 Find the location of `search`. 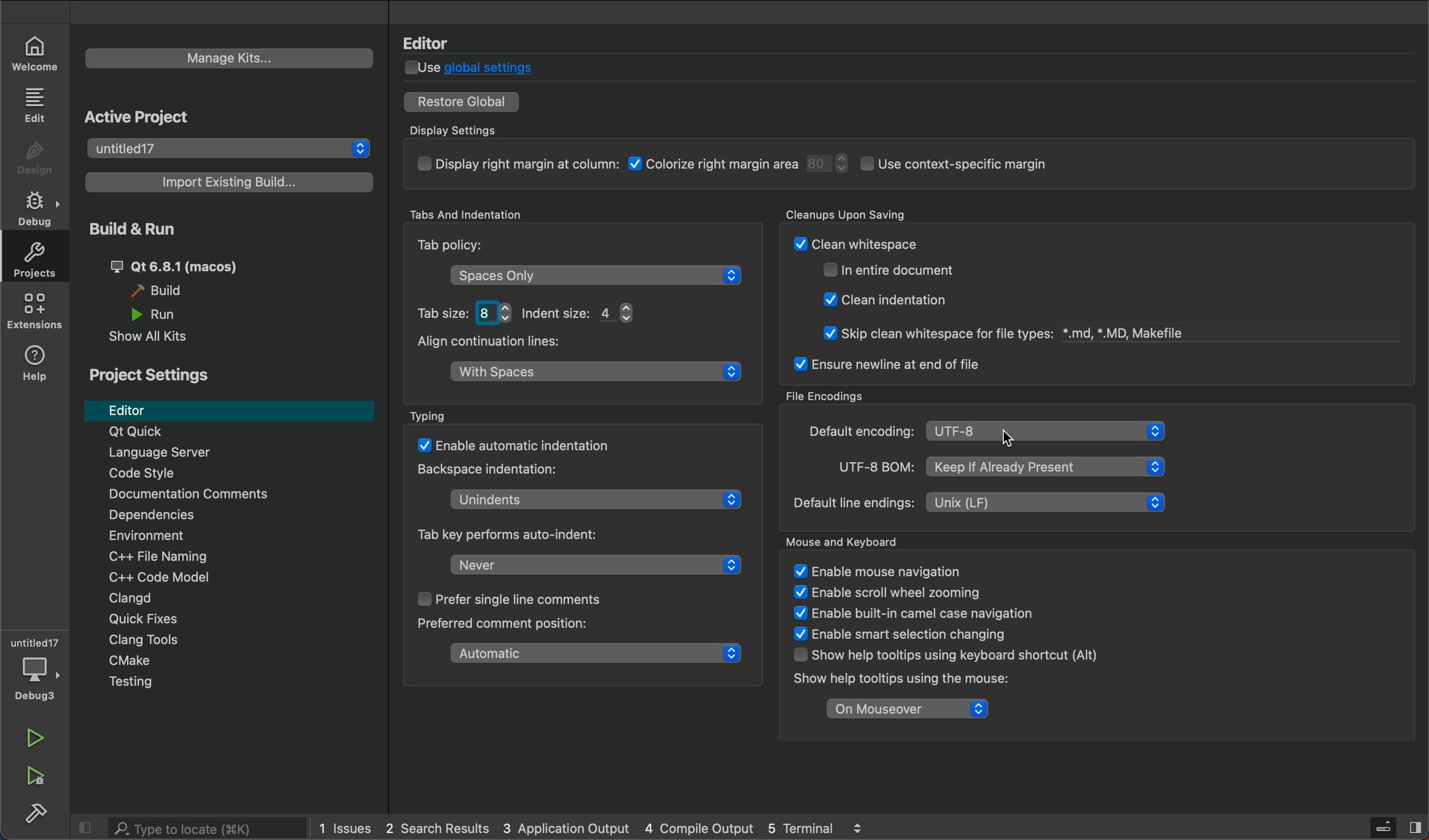

search is located at coordinates (196, 827).